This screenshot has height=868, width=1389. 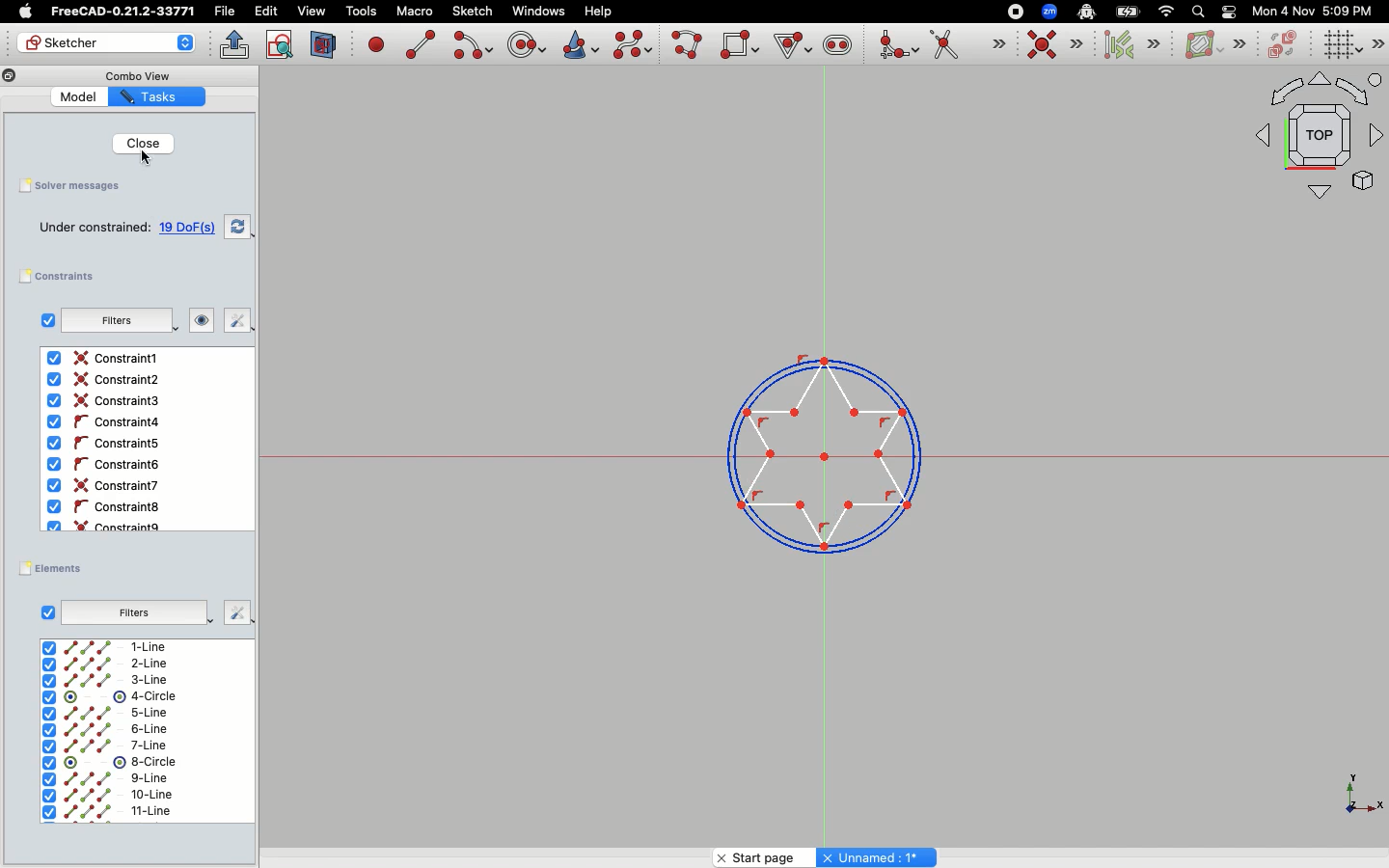 I want to click on Macro, so click(x=413, y=12).